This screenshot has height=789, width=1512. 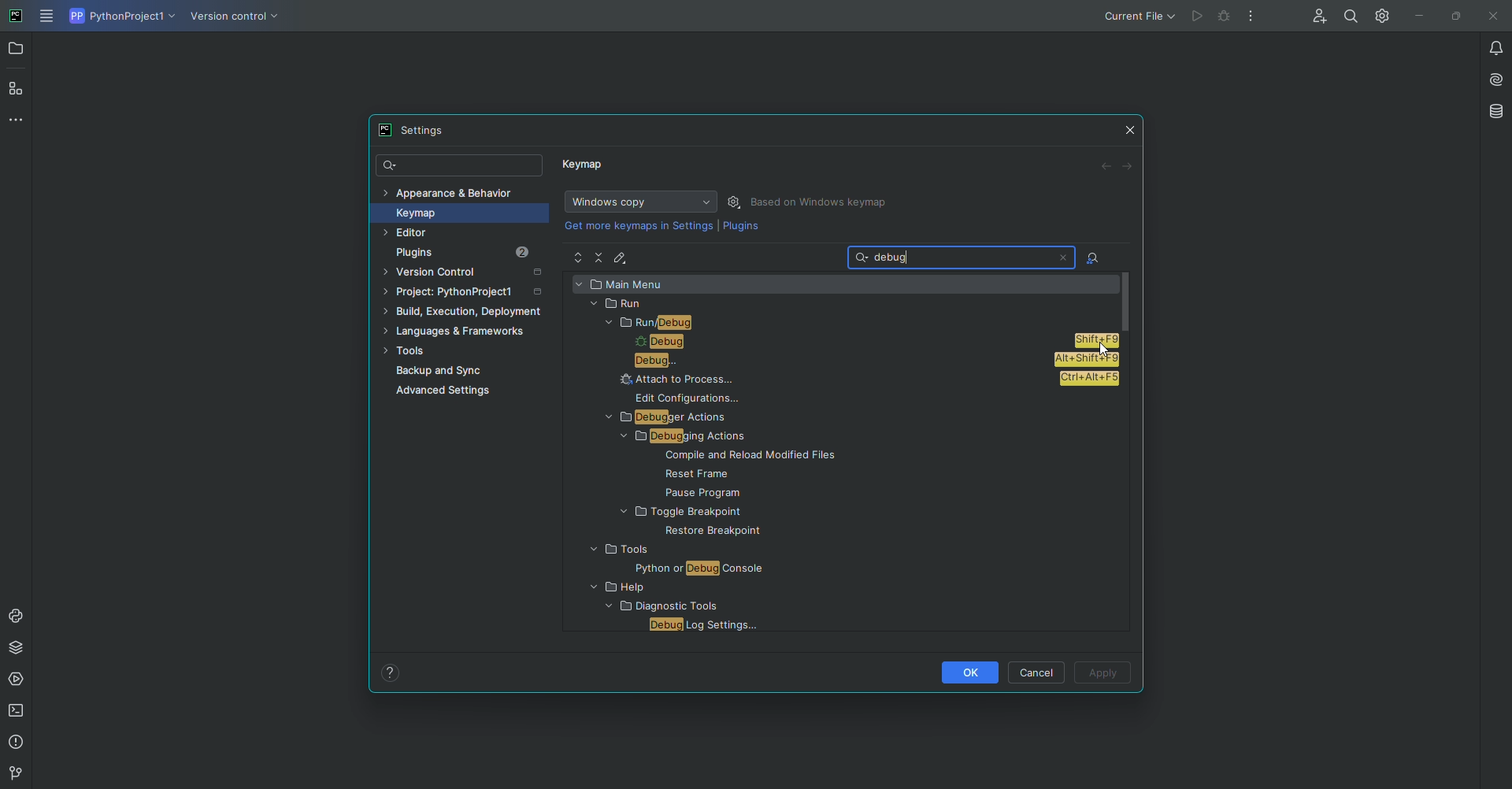 What do you see at coordinates (1099, 346) in the screenshot?
I see `Cursor` at bounding box center [1099, 346].